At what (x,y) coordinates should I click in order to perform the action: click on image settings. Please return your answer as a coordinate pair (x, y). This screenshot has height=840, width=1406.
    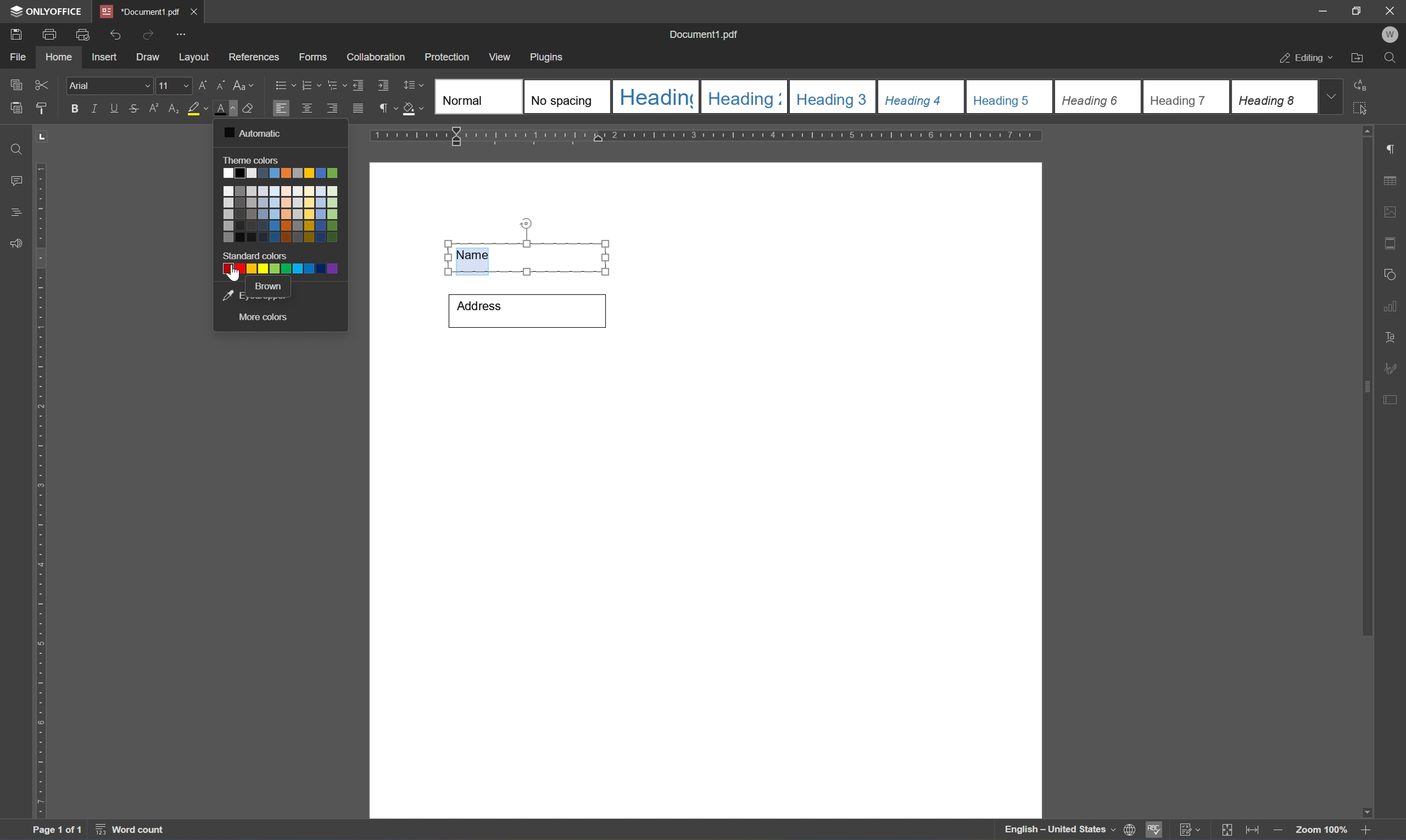
    Looking at the image, I should click on (1391, 211).